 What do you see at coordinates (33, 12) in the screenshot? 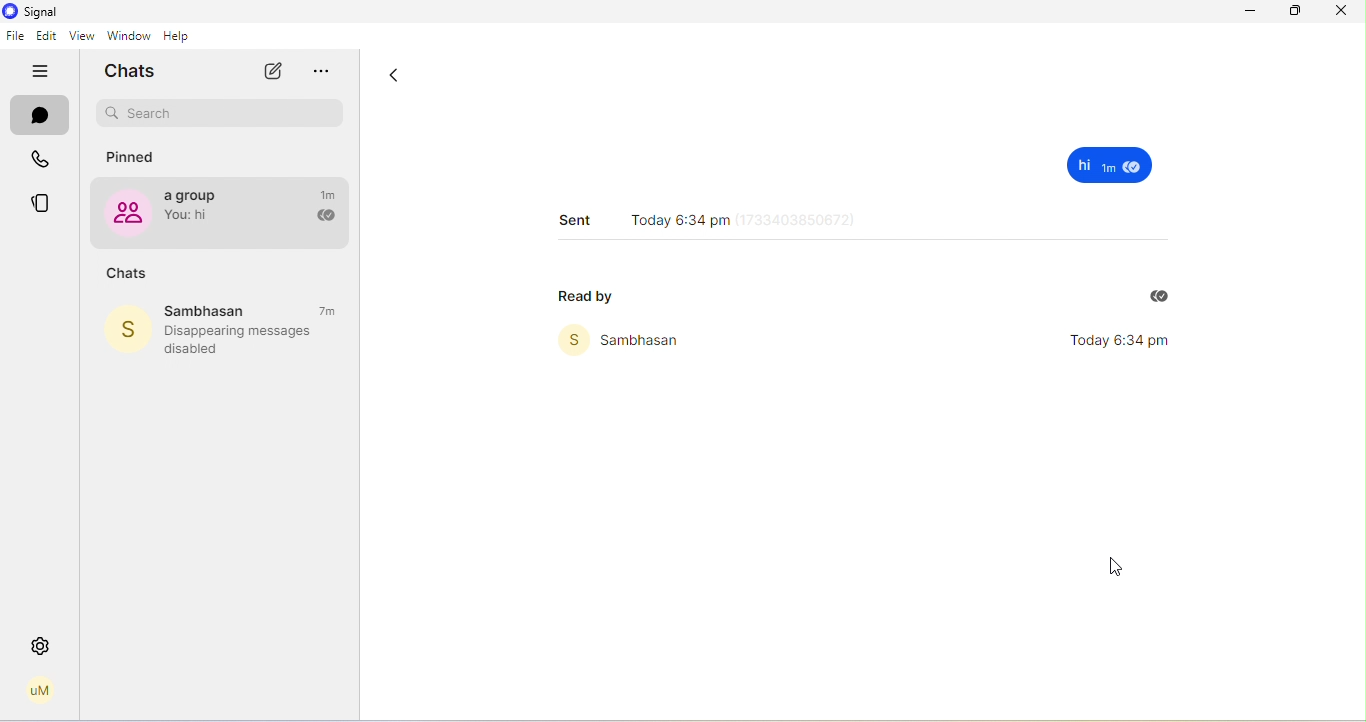
I see `signal` at bounding box center [33, 12].